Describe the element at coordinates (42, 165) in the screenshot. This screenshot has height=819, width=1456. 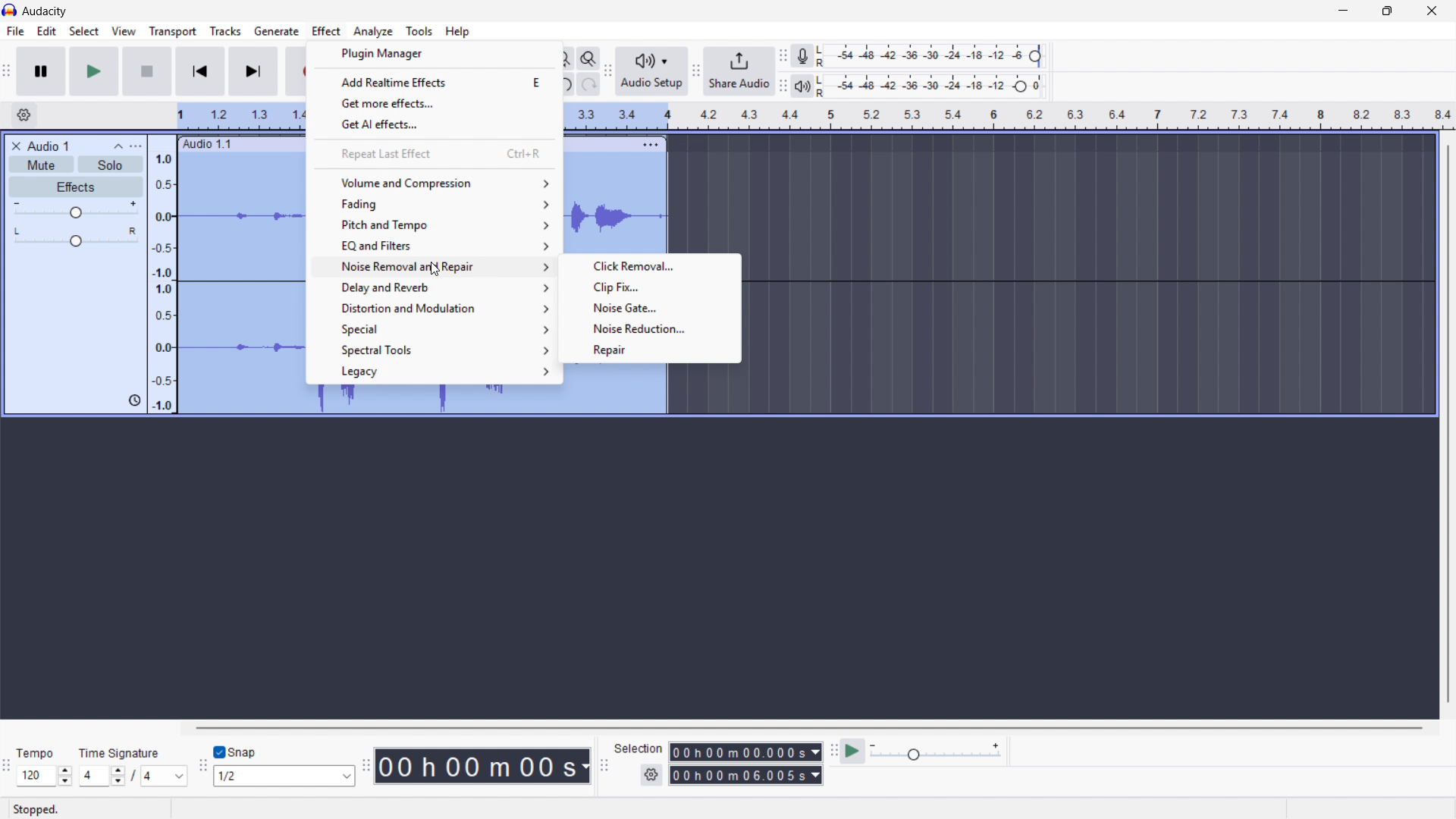
I see `Mute` at that location.